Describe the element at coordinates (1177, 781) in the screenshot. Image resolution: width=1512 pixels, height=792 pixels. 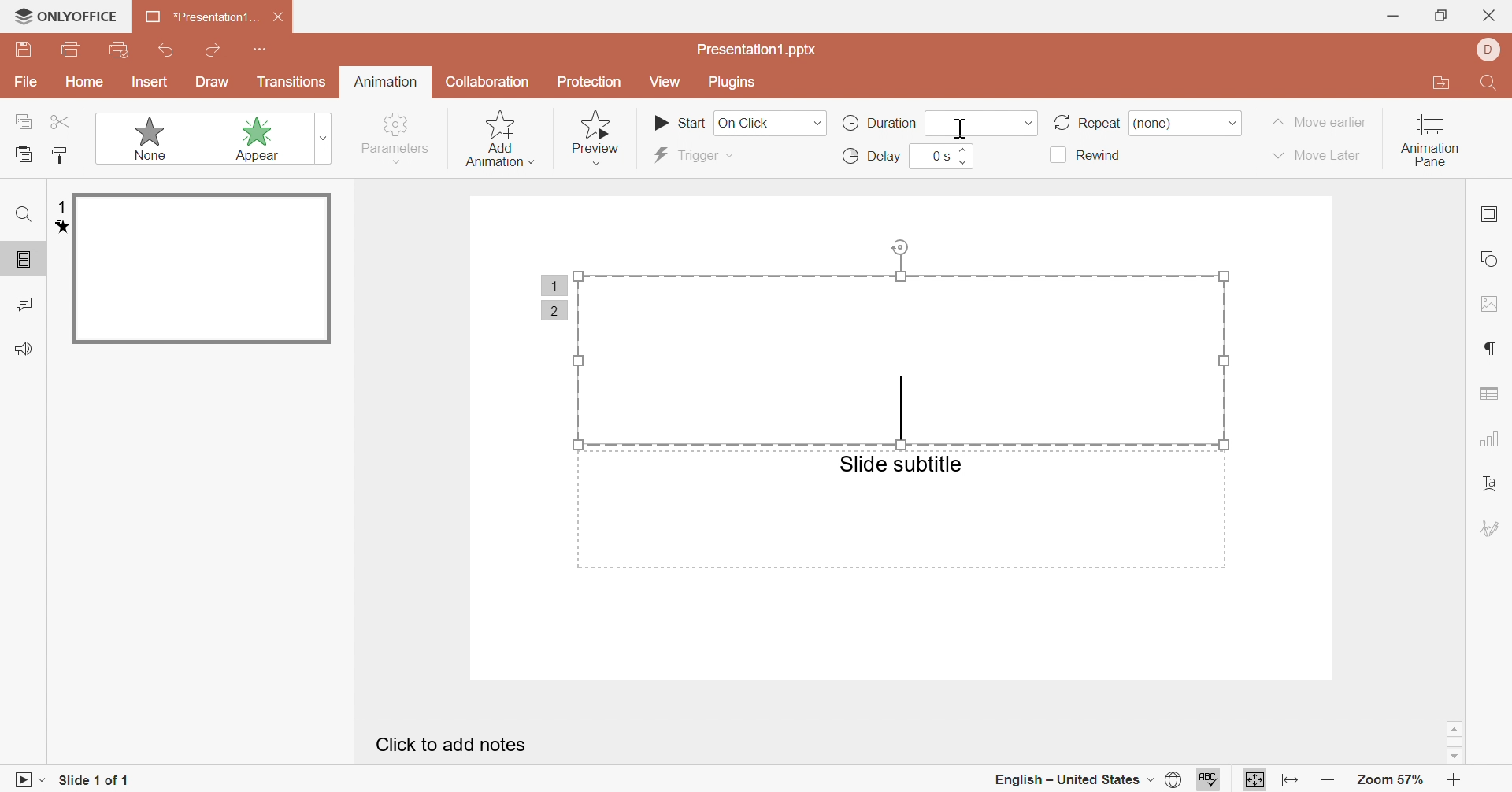
I see `set document language` at that location.